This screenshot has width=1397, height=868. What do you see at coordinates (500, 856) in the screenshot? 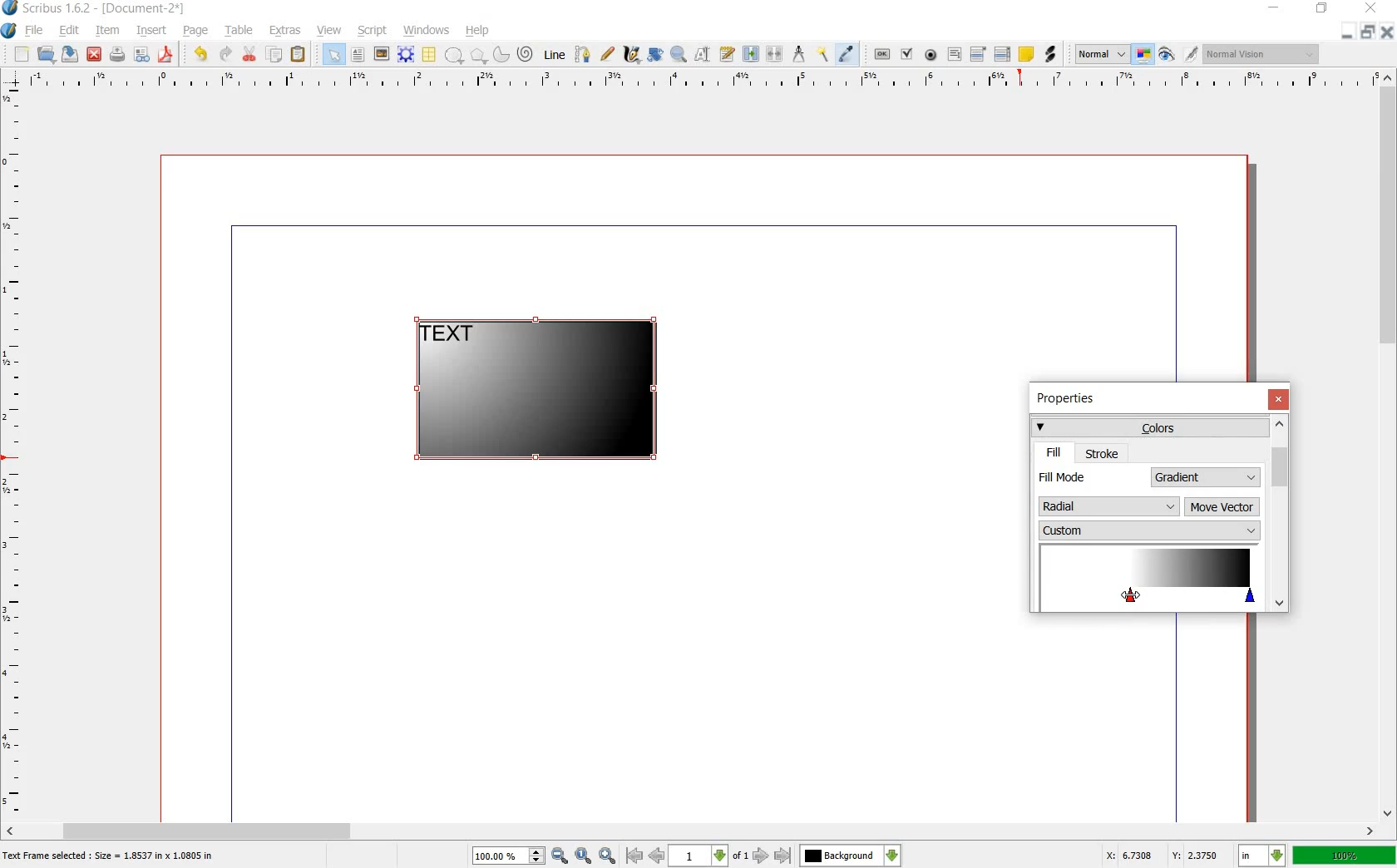
I see `100%` at bounding box center [500, 856].